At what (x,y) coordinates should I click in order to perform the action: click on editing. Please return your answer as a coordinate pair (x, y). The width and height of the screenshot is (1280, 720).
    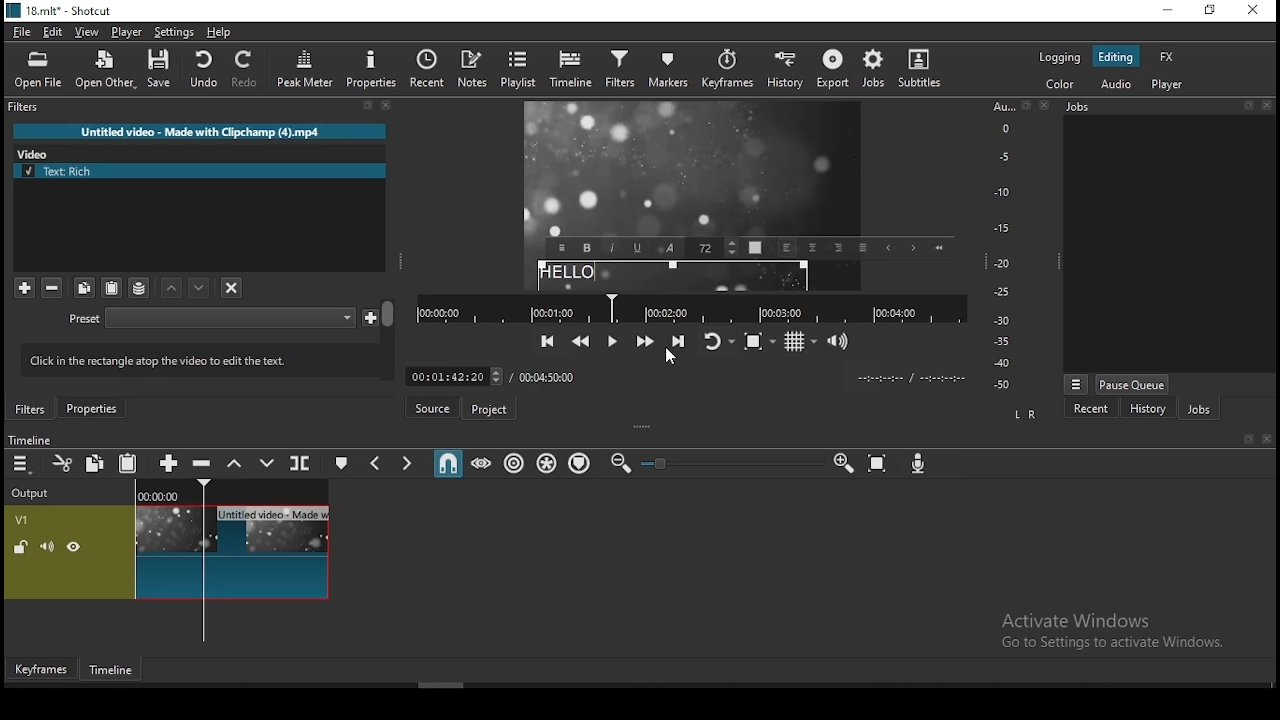
    Looking at the image, I should click on (1117, 56).